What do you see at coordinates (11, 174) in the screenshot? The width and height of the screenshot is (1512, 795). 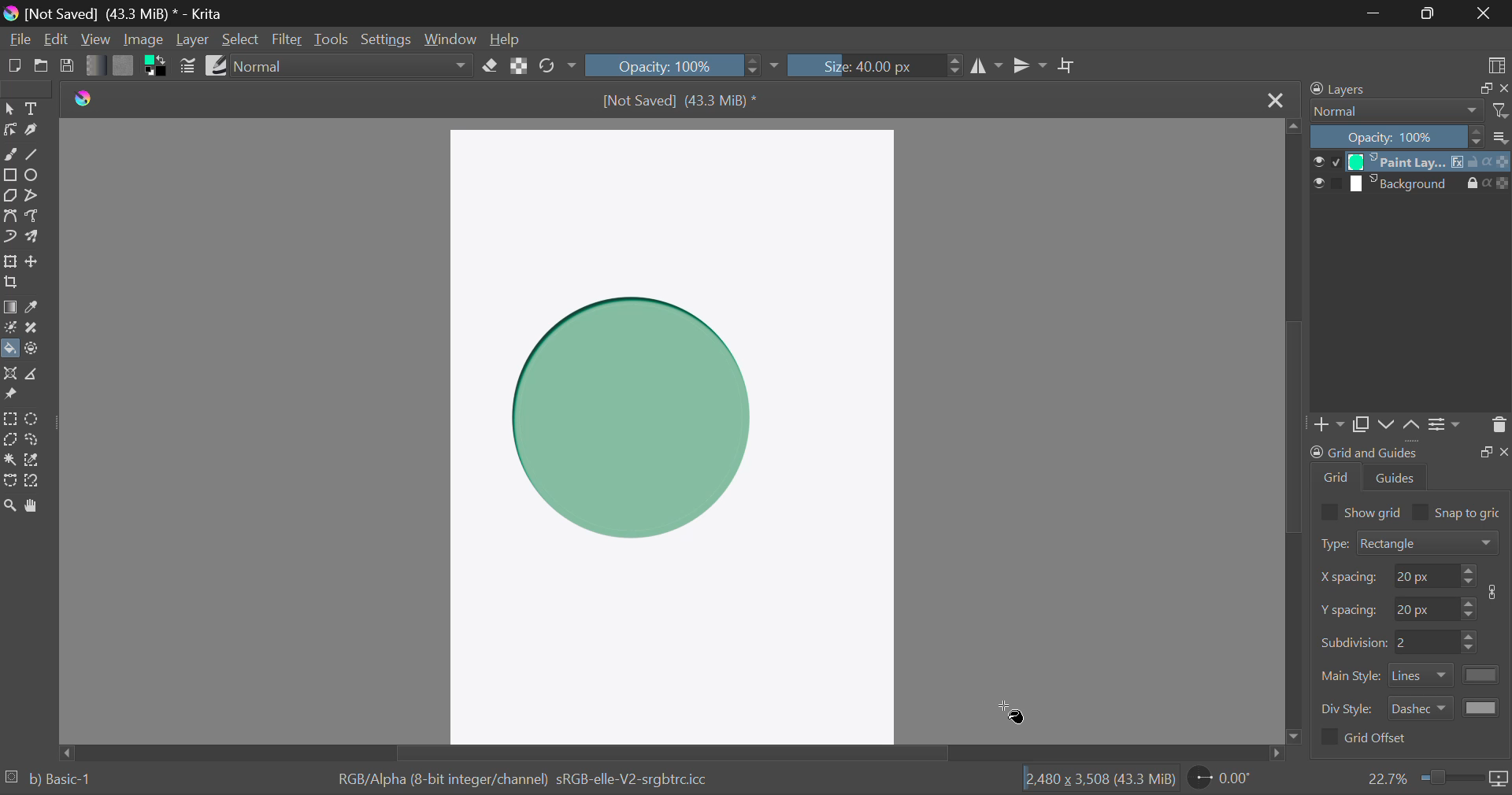 I see `Rectangle` at bounding box center [11, 174].